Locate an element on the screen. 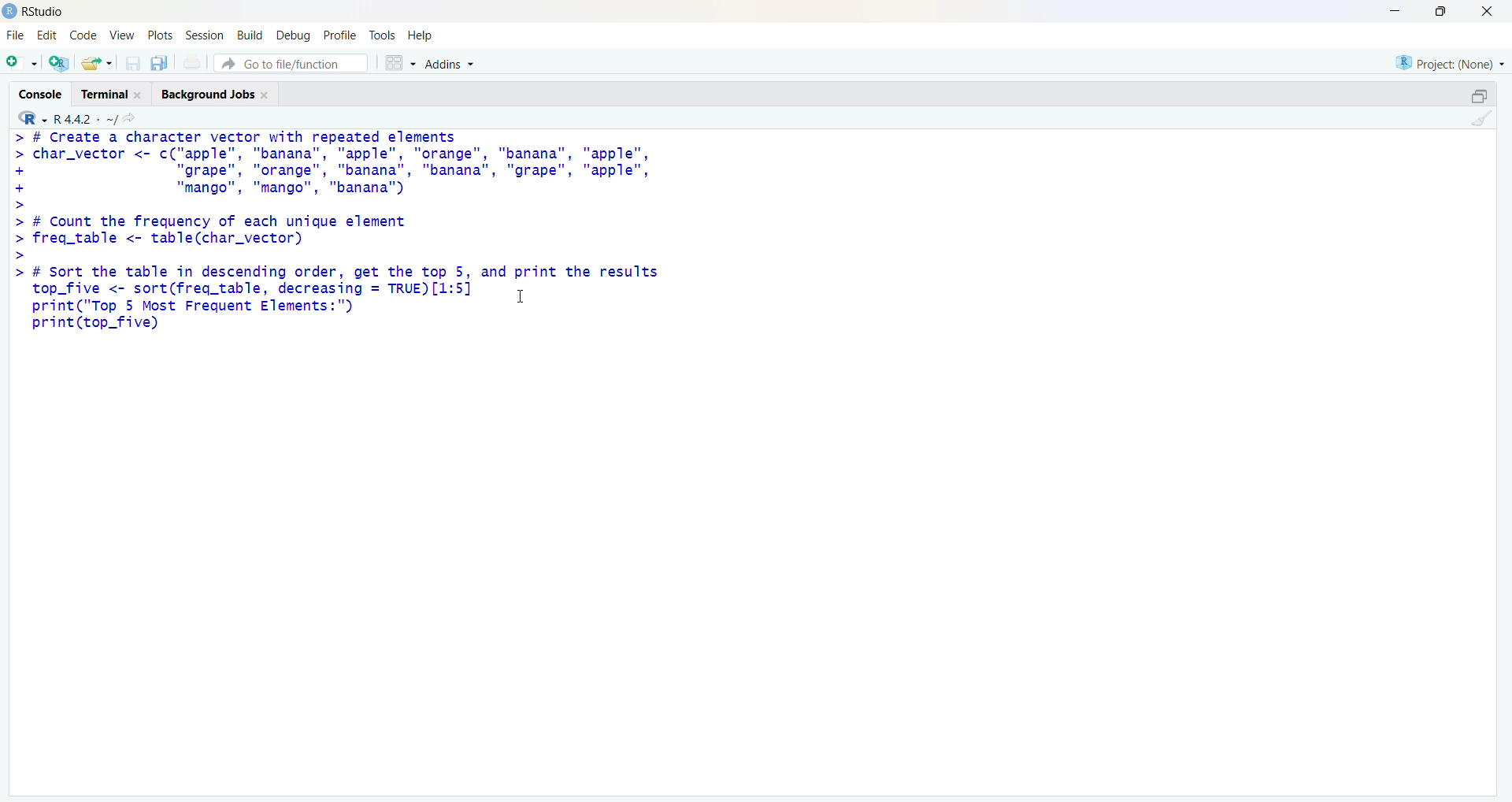 The height and width of the screenshot is (802, 1512). Clear console is located at coordinates (1480, 120).